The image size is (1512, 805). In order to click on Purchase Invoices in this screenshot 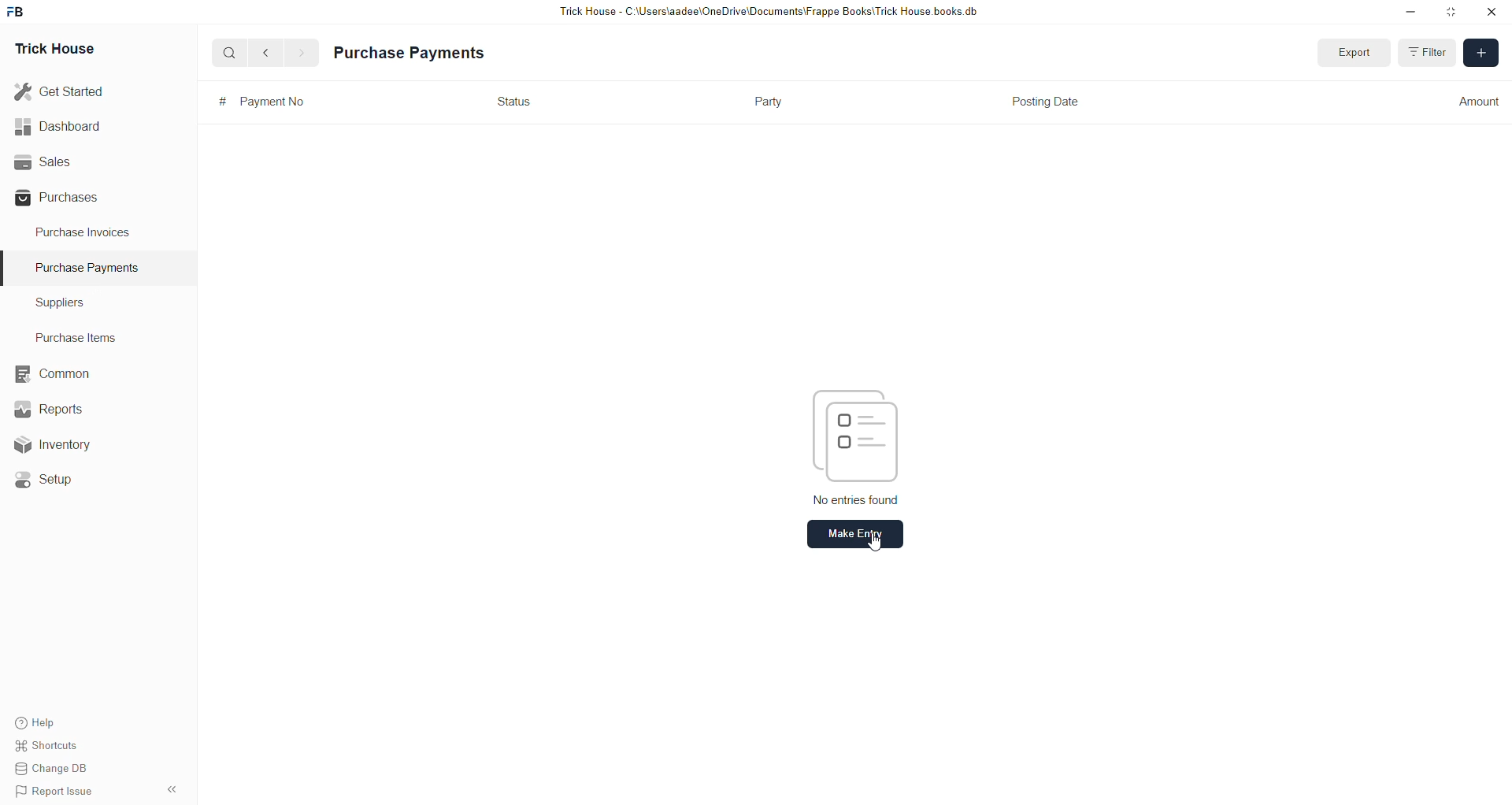, I will do `click(81, 235)`.